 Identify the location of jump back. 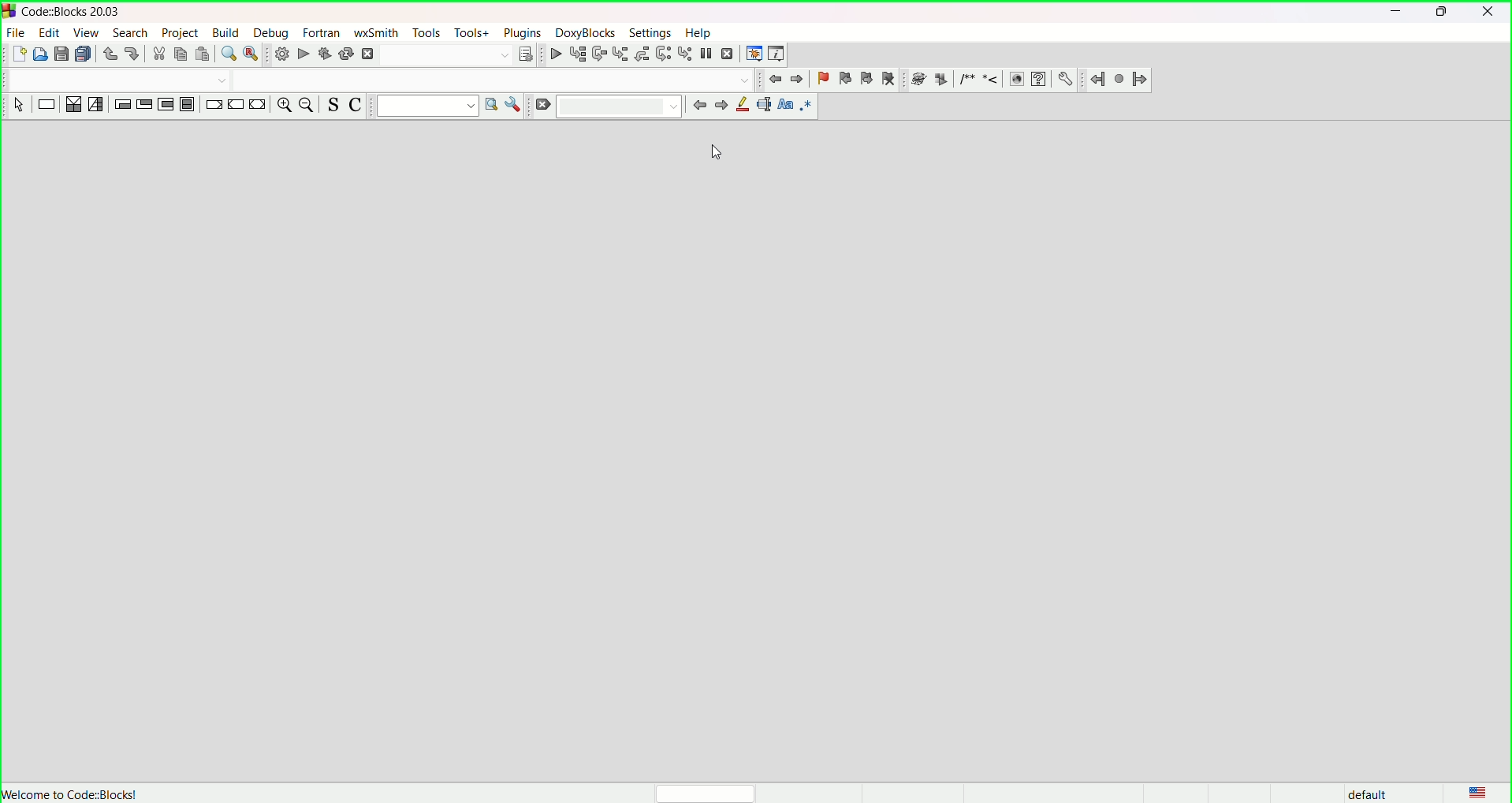
(772, 78).